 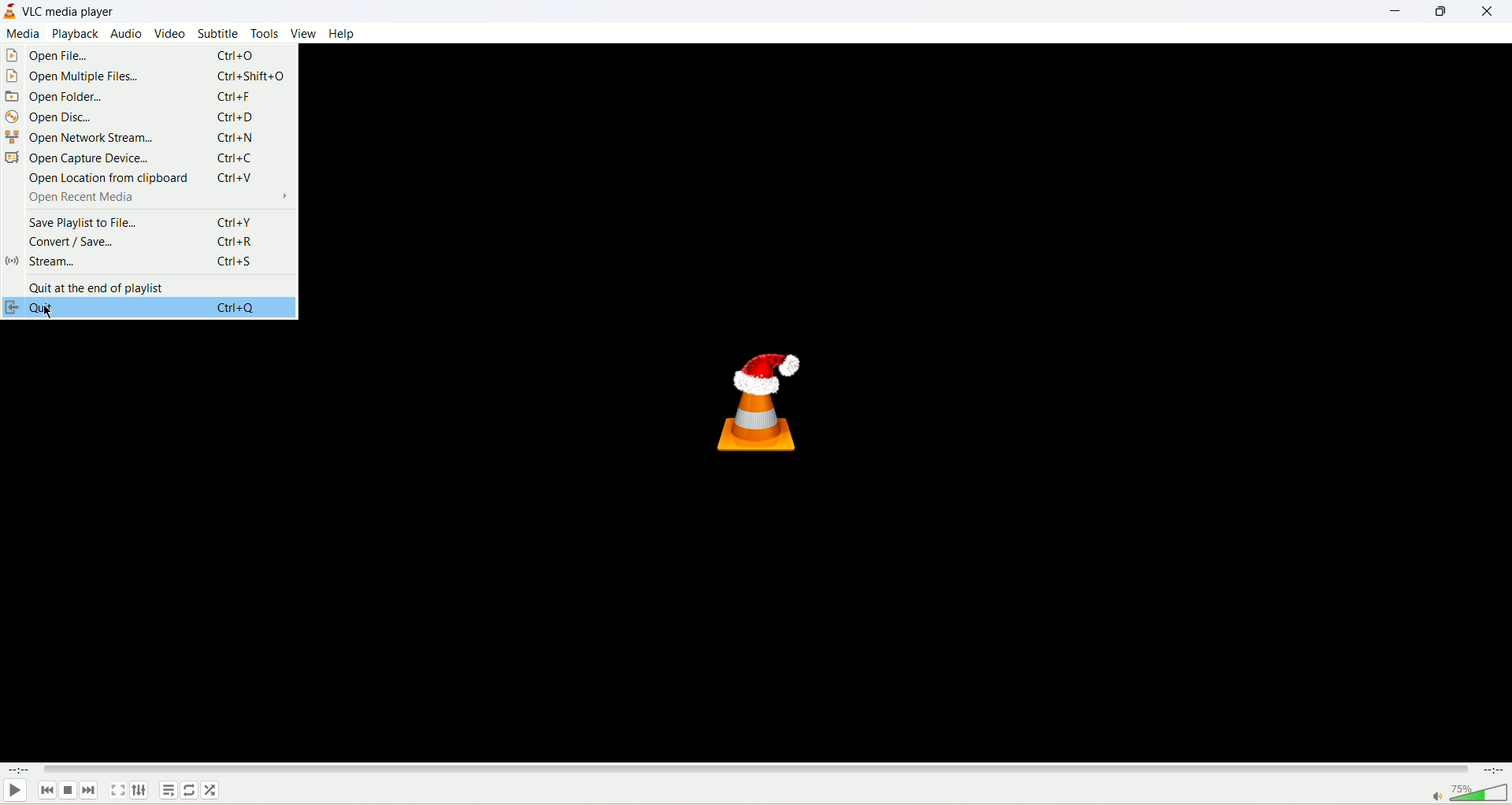 I want to click on open location from clipboard, so click(x=145, y=178).